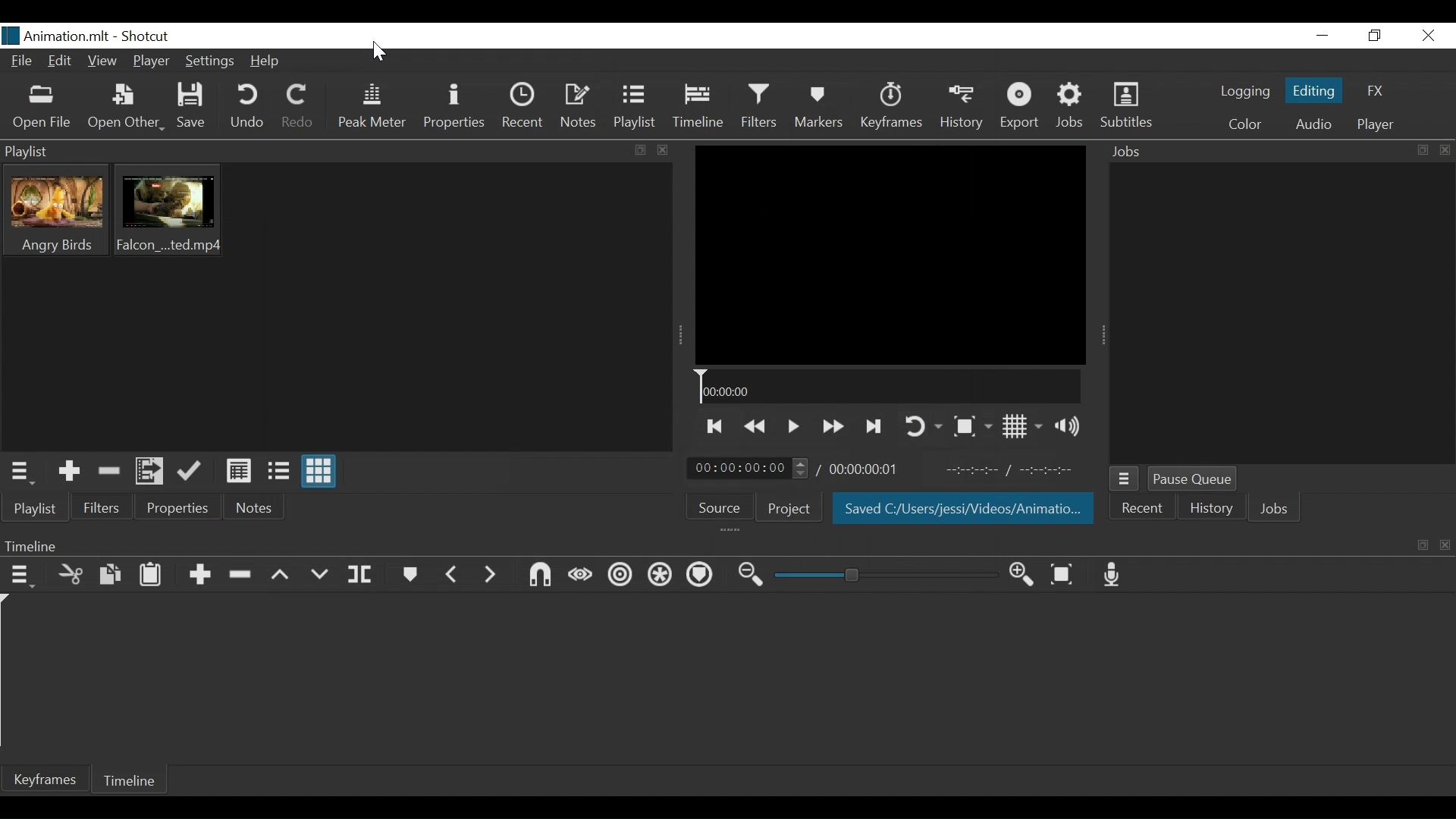 The height and width of the screenshot is (819, 1456). Describe the element at coordinates (199, 575) in the screenshot. I see `Append` at that location.